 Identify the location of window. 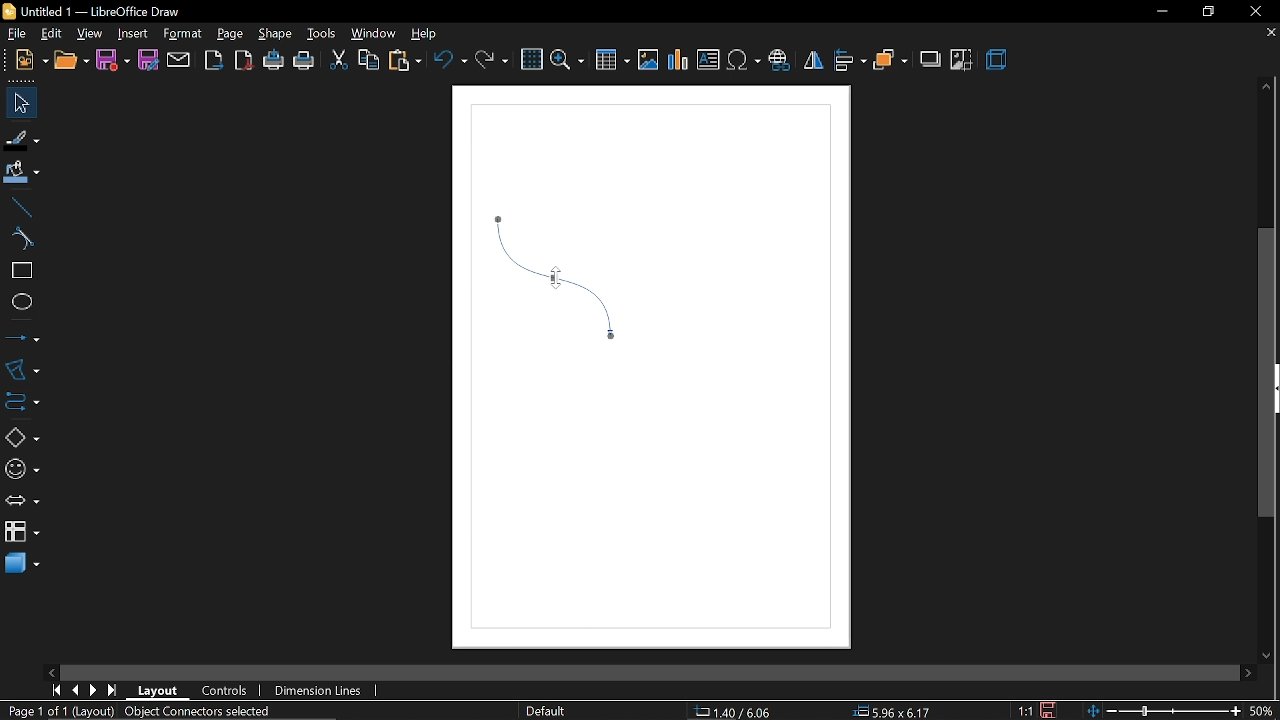
(371, 34).